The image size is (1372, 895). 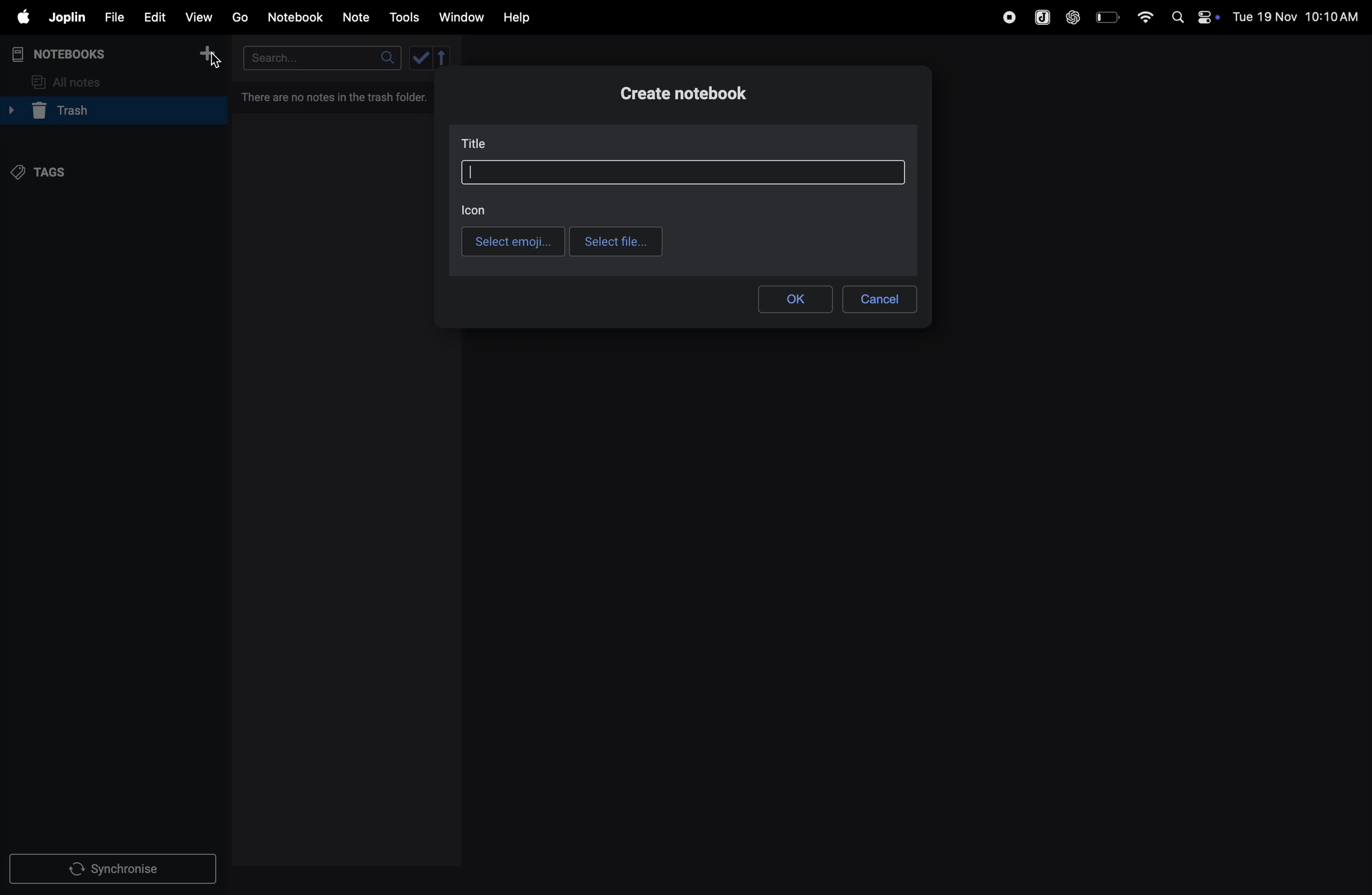 I want to click on icon, so click(x=476, y=210).